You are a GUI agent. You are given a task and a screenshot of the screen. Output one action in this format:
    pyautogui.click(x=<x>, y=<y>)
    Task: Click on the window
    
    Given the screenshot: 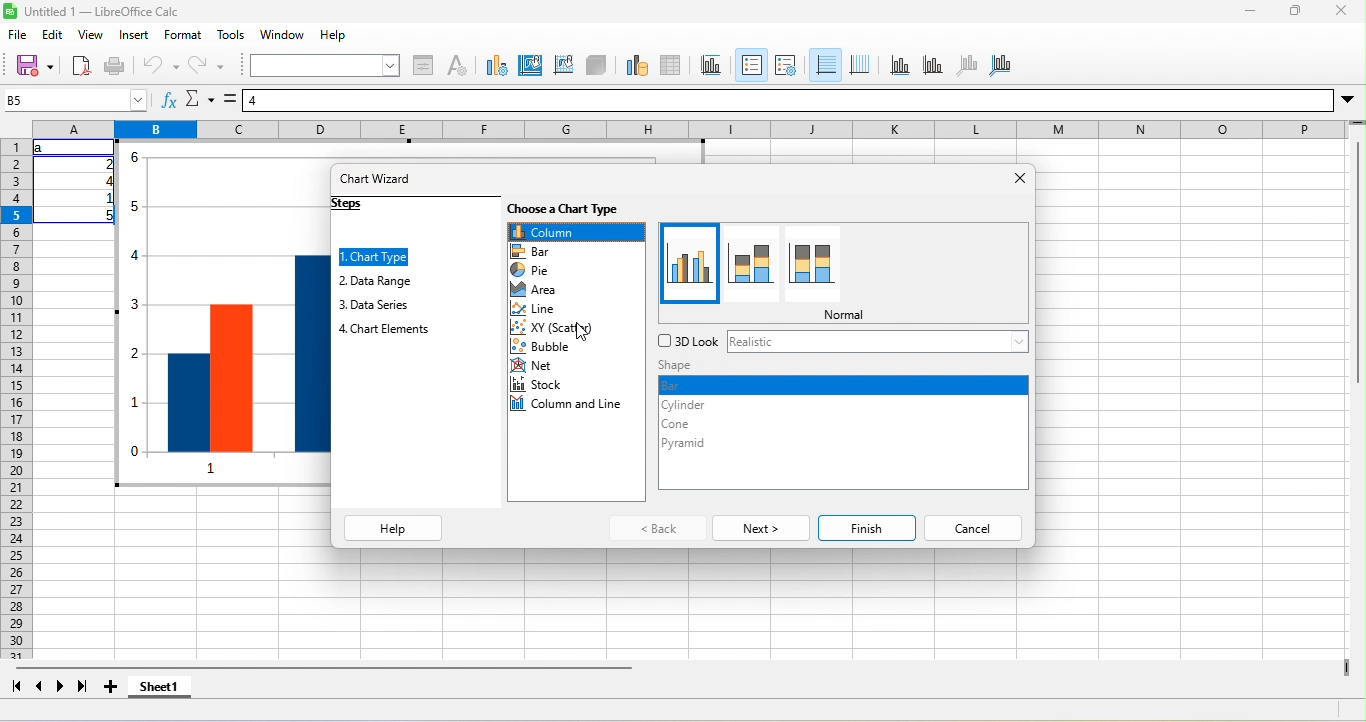 What is the action you would take?
    pyautogui.click(x=282, y=35)
    